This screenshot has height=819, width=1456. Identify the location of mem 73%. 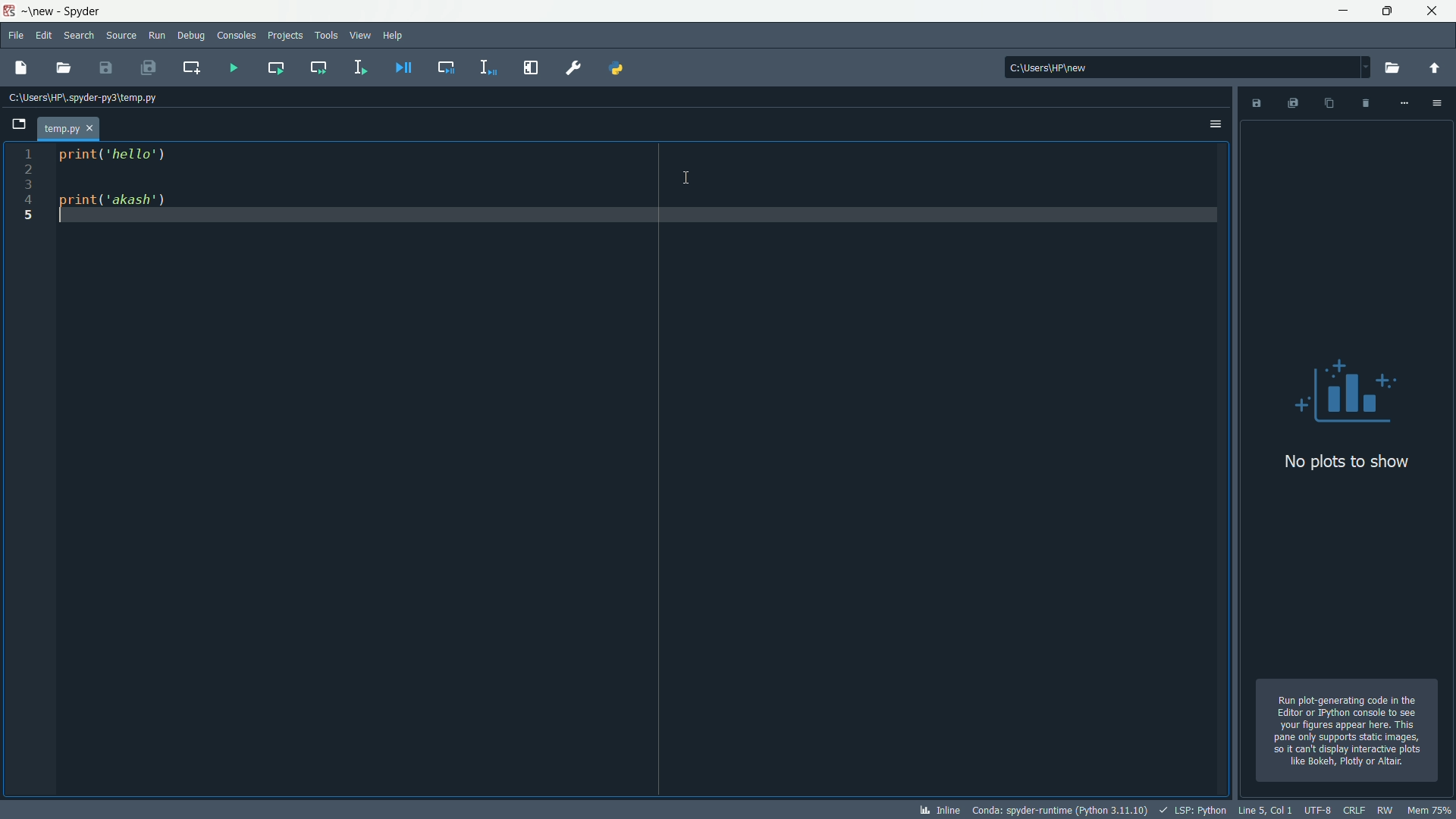
(1429, 810).